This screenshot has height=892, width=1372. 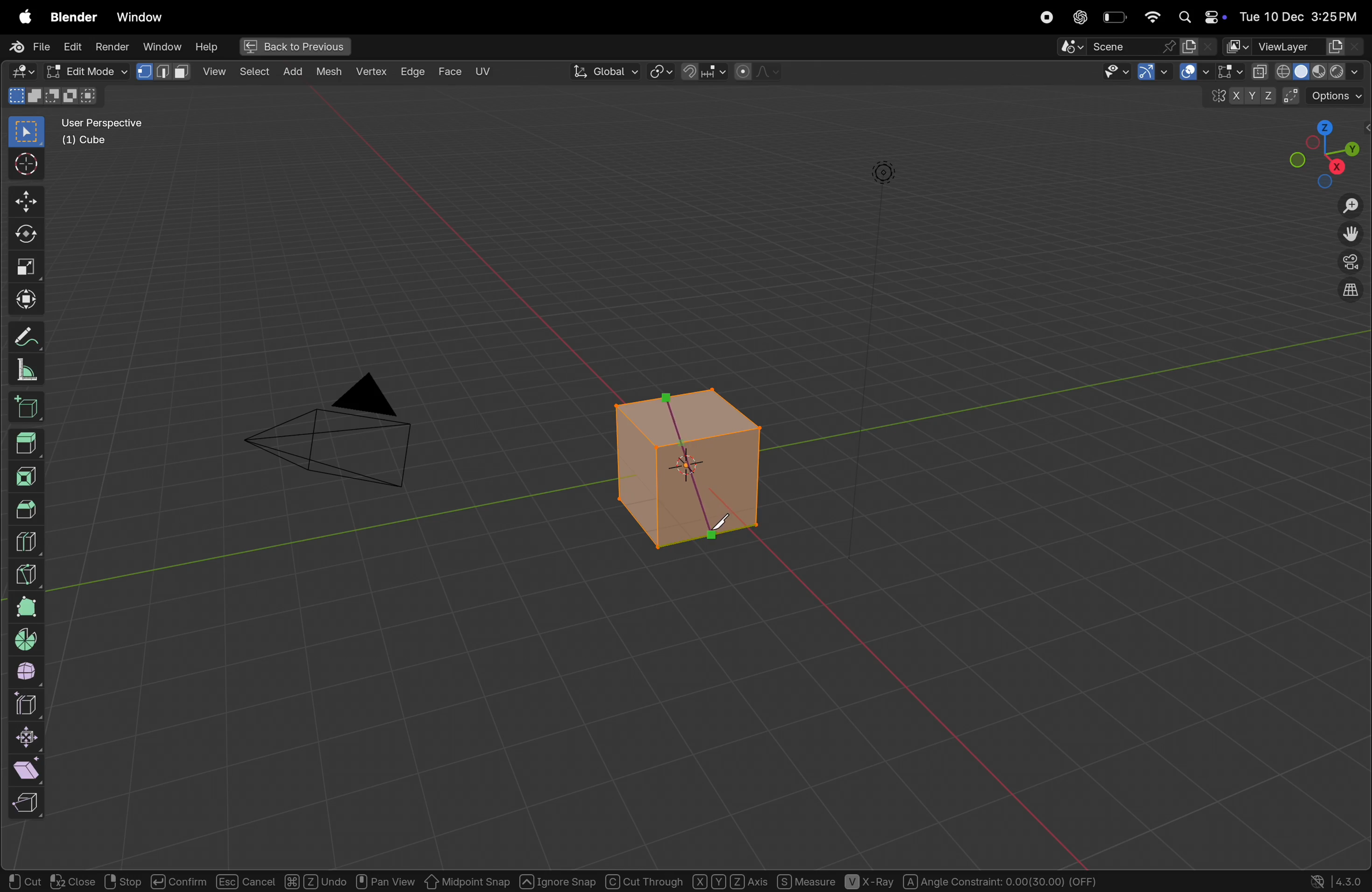 What do you see at coordinates (1150, 17) in the screenshot?
I see `Wifi` at bounding box center [1150, 17].